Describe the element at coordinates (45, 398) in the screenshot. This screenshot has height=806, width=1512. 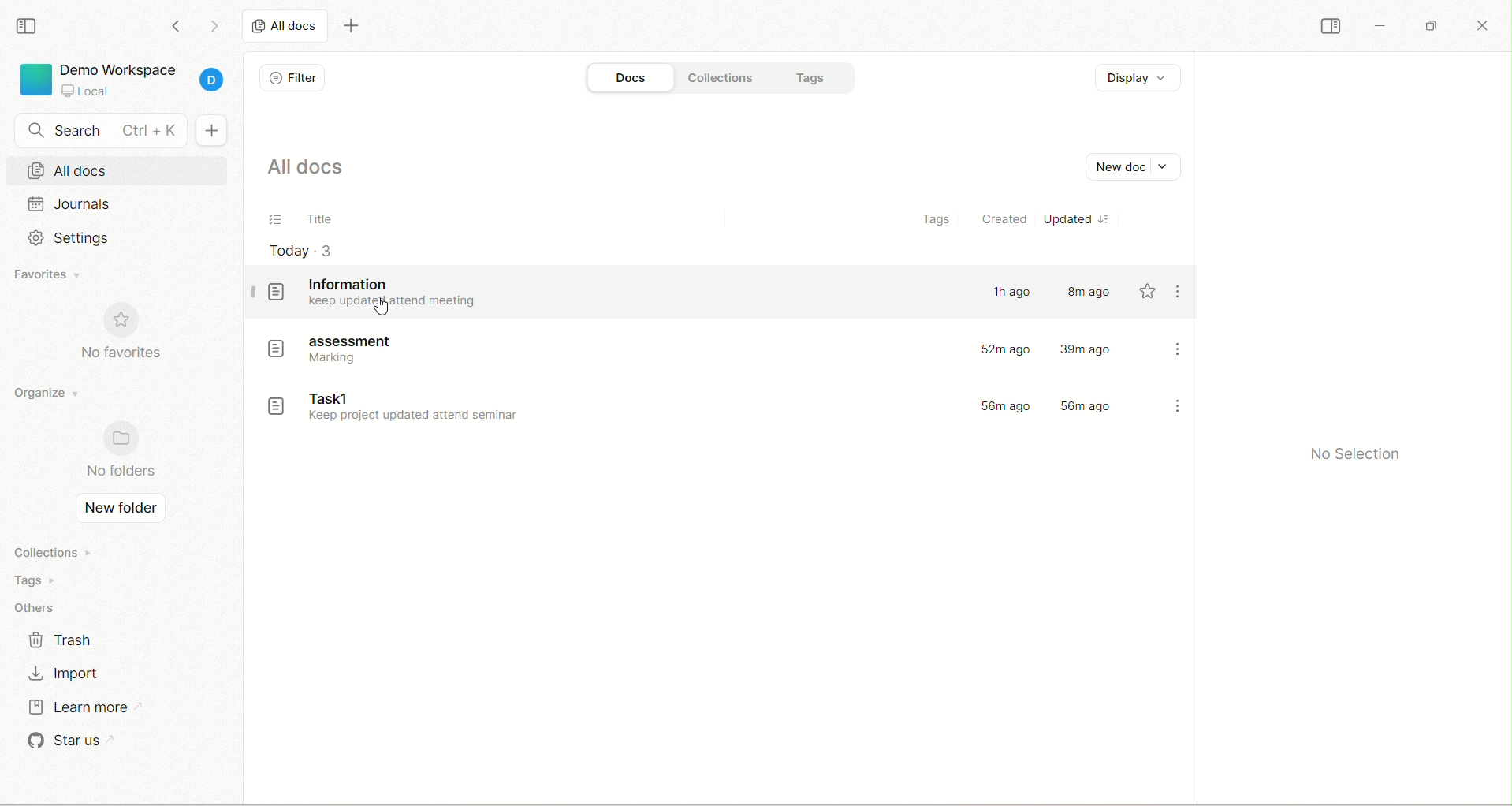
I see `organize` at that location.